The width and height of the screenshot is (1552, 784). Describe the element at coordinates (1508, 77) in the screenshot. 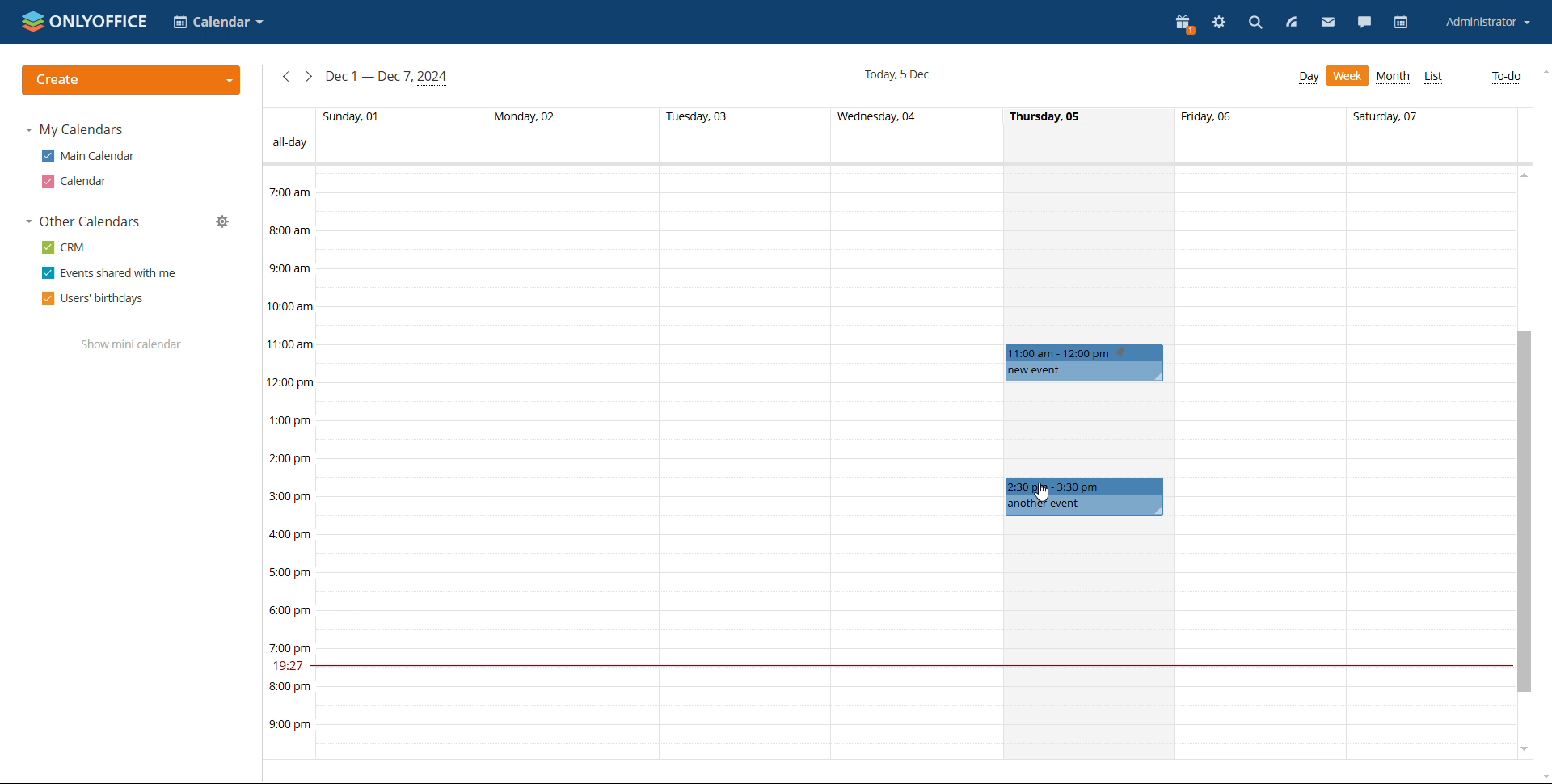

I see `to-do` at that location.